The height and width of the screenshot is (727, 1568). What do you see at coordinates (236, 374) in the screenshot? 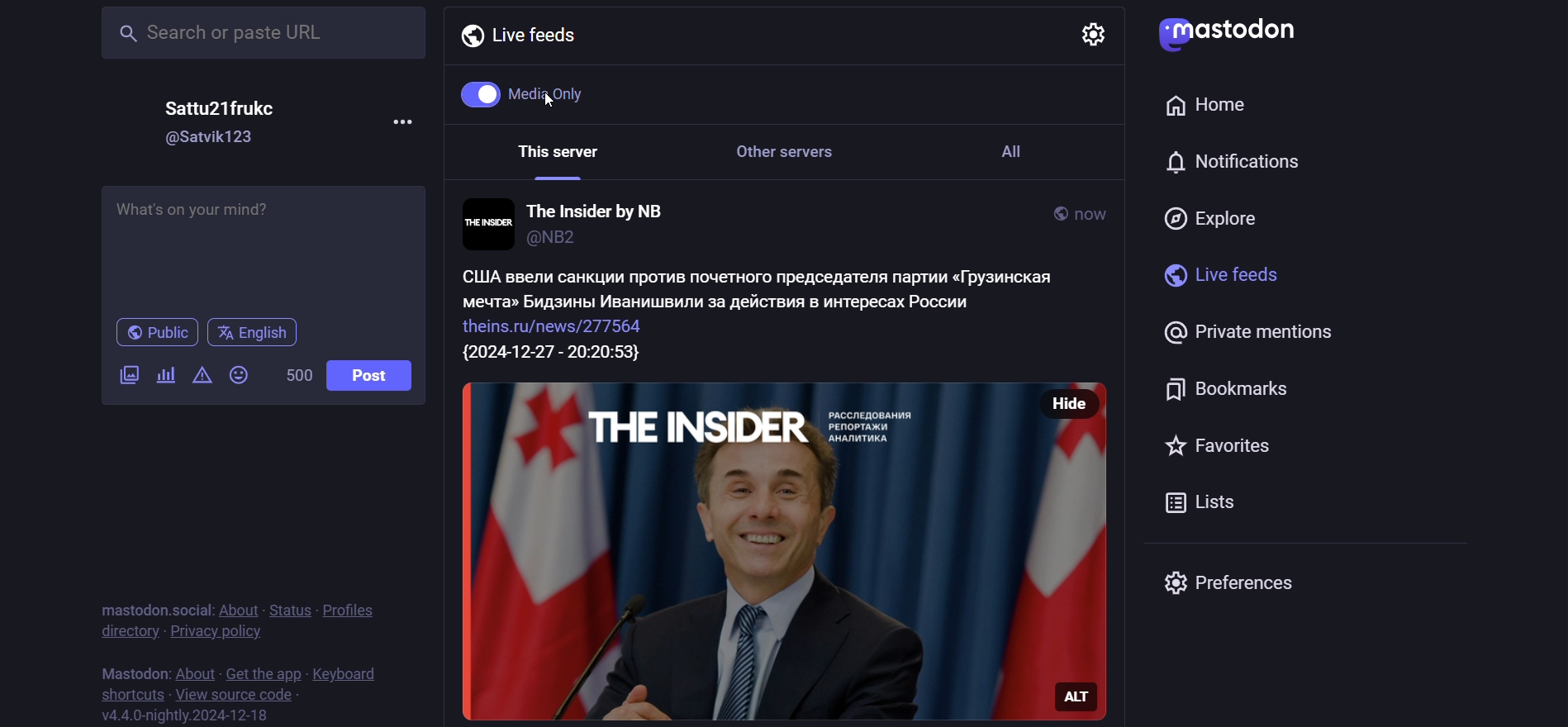
I see `emoji` at bounding box center [236, 374].